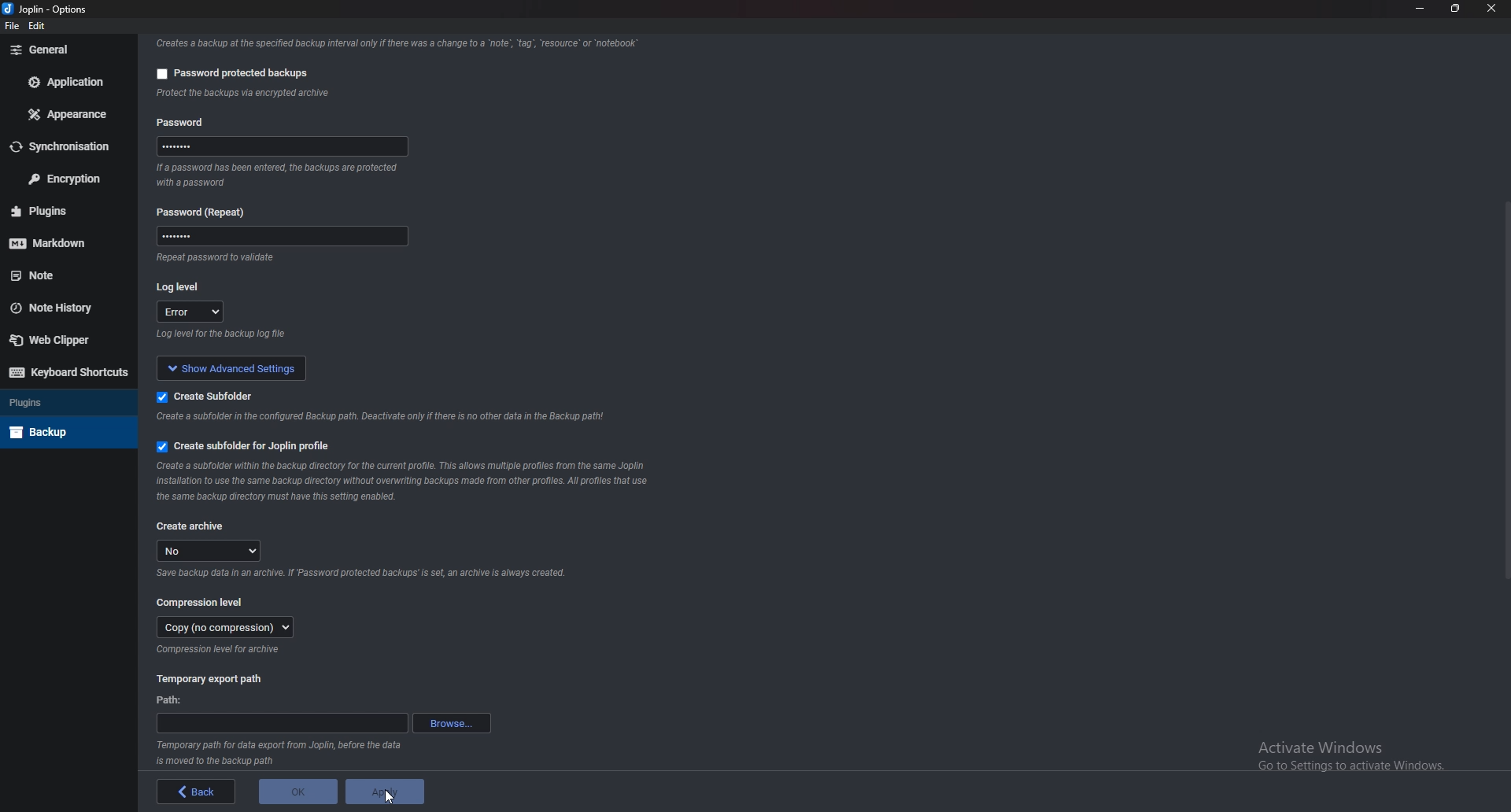  Describe the element at coordinates (172, 699) in the screenshot. I see `path` at that location.